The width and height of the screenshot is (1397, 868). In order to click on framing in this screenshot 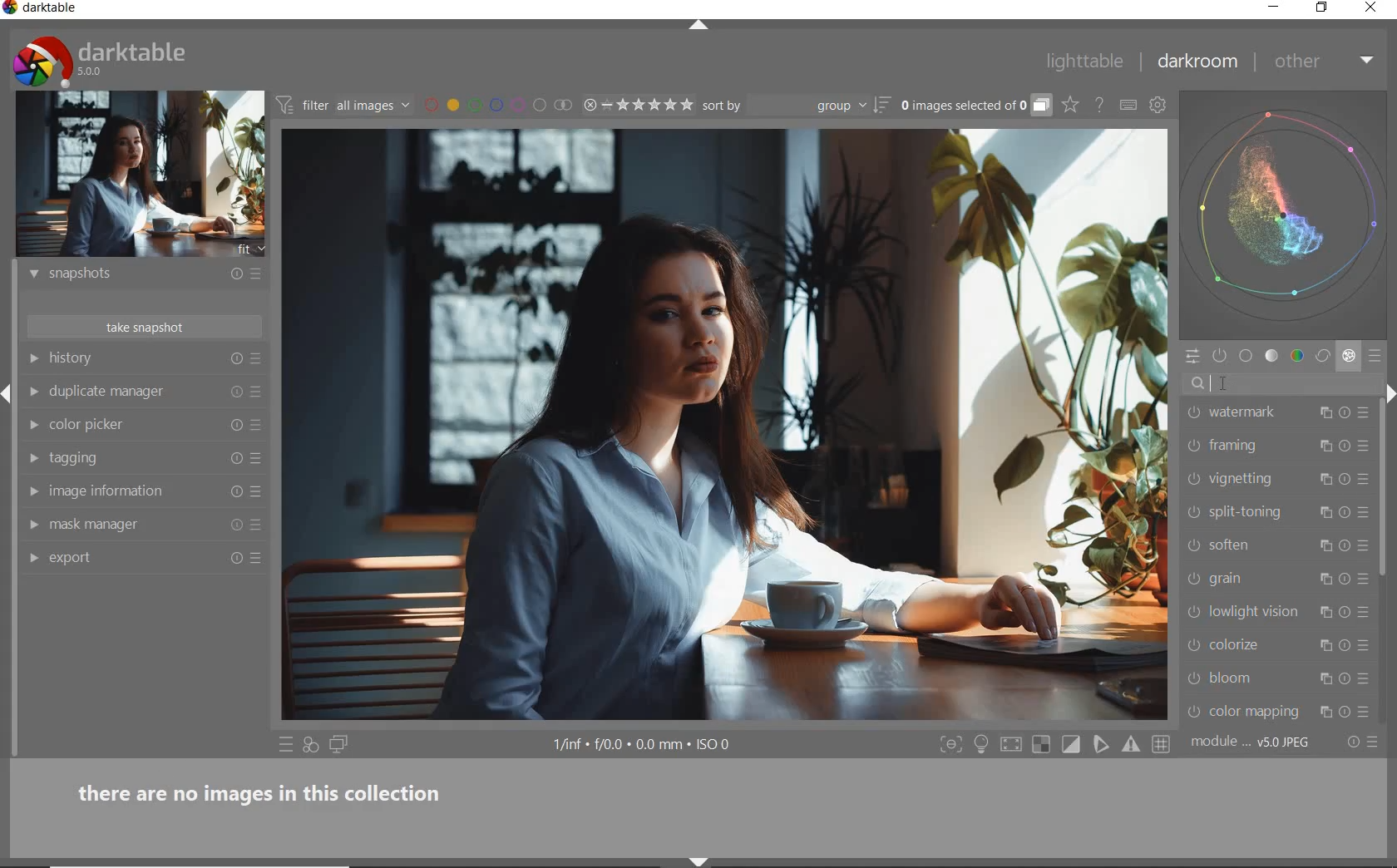, I will do `click(1254, 446)`.